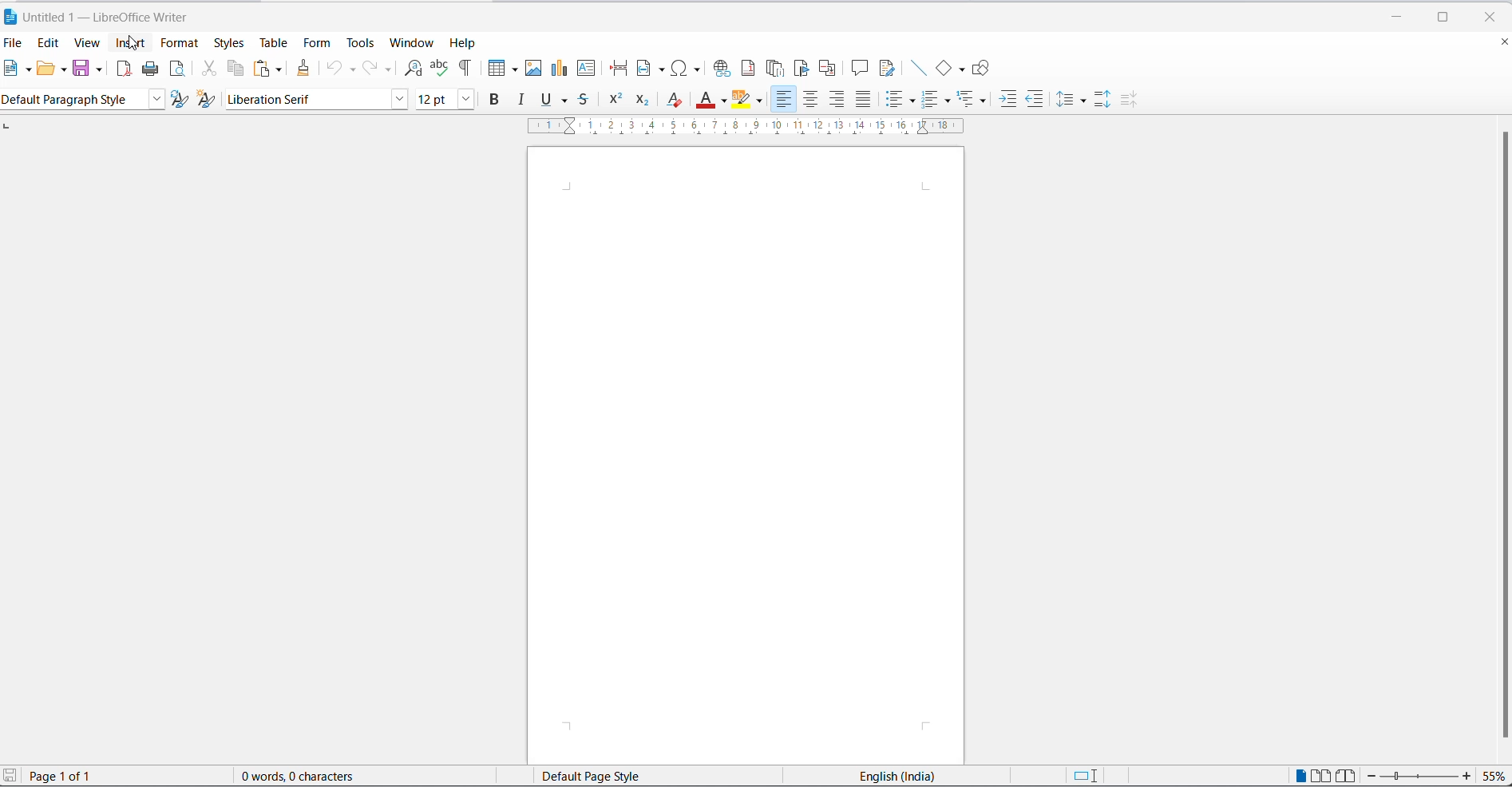 Image resolution: width=1512 pixels, height=787 pixels. Describe the element at coordinates (1375, 776) in the screenshot. I see `decrease zoom` at that location.